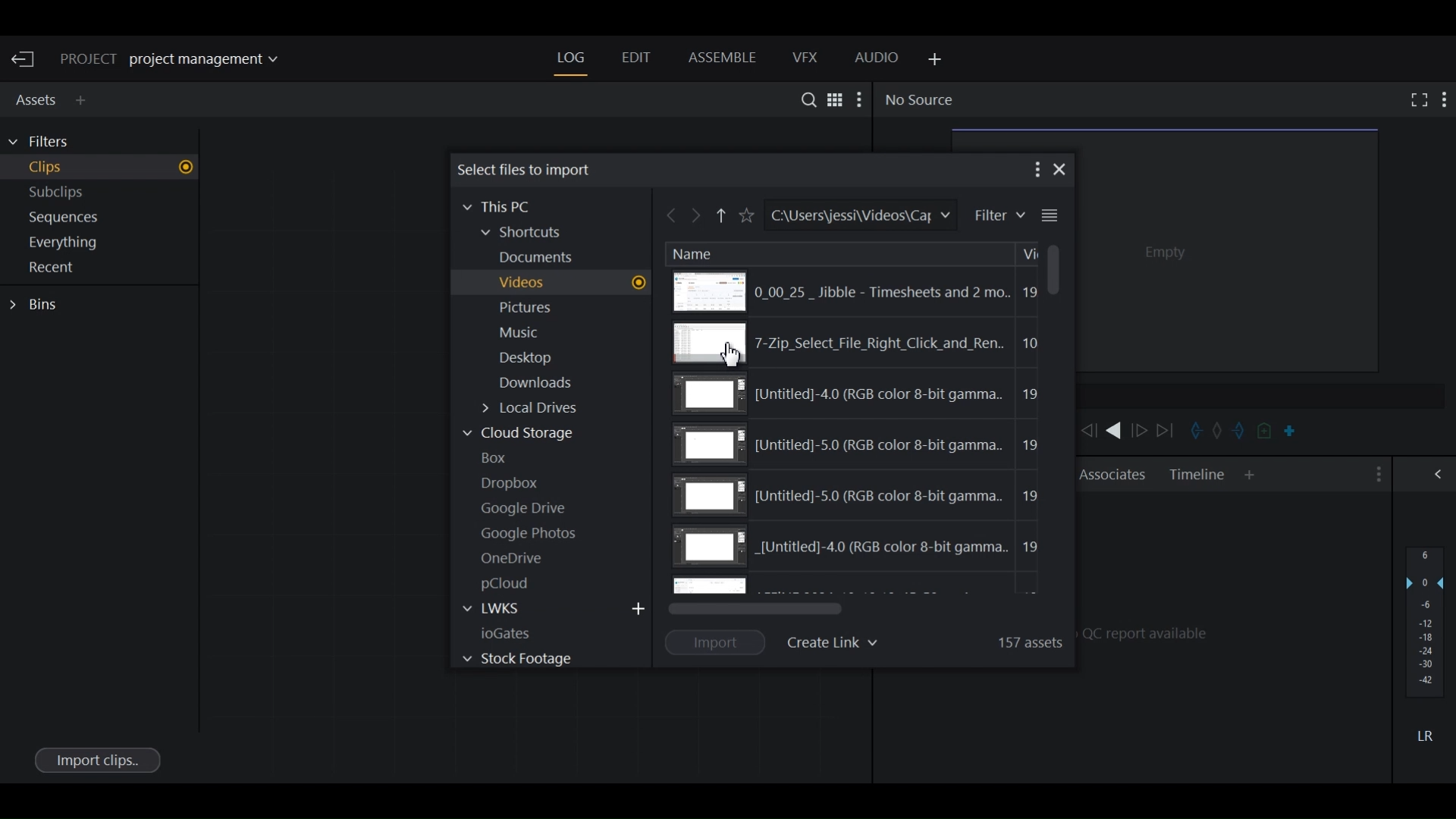  Describe the element at coordinates (717, 642) in the screenshot. I see `Import` at that location.